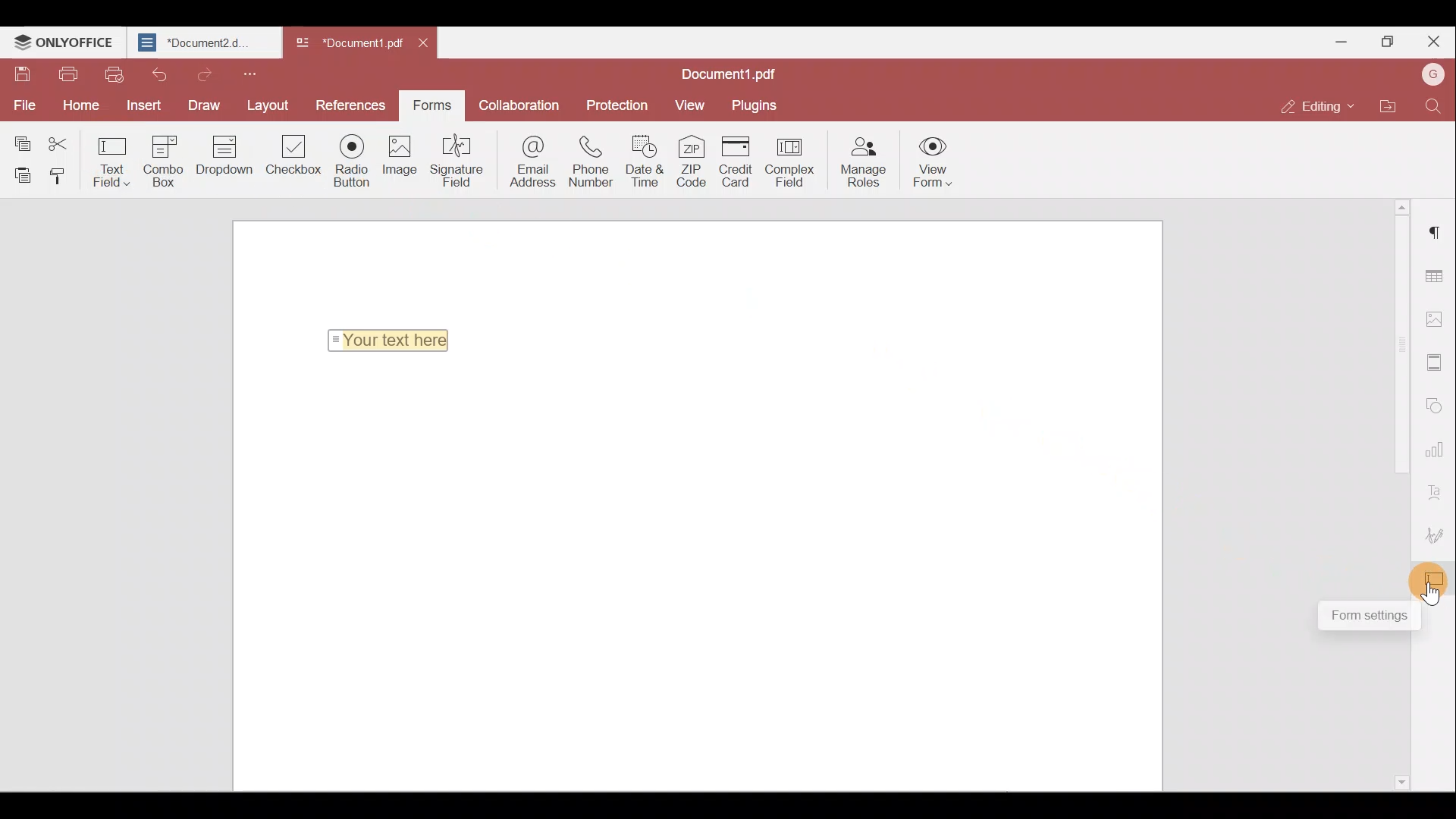 This screenshot has height=819, width=1456. Describe the element at coordinates (347, 104) in the screenshot. I see `References` at that location.